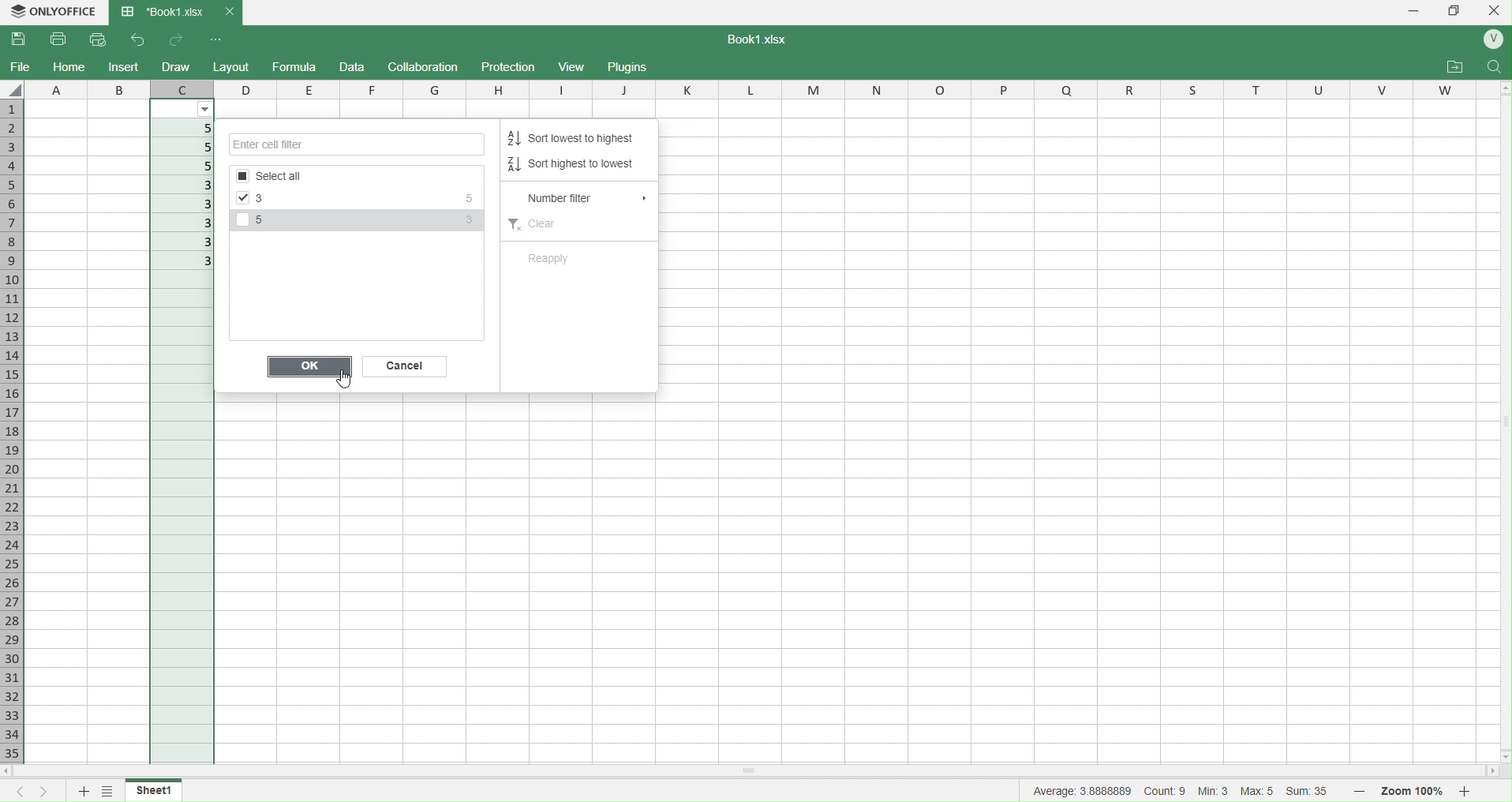  Describe the element at coordinates (216, 40) in the screenshot. I see `Customize Quick access toolbar` at that location.